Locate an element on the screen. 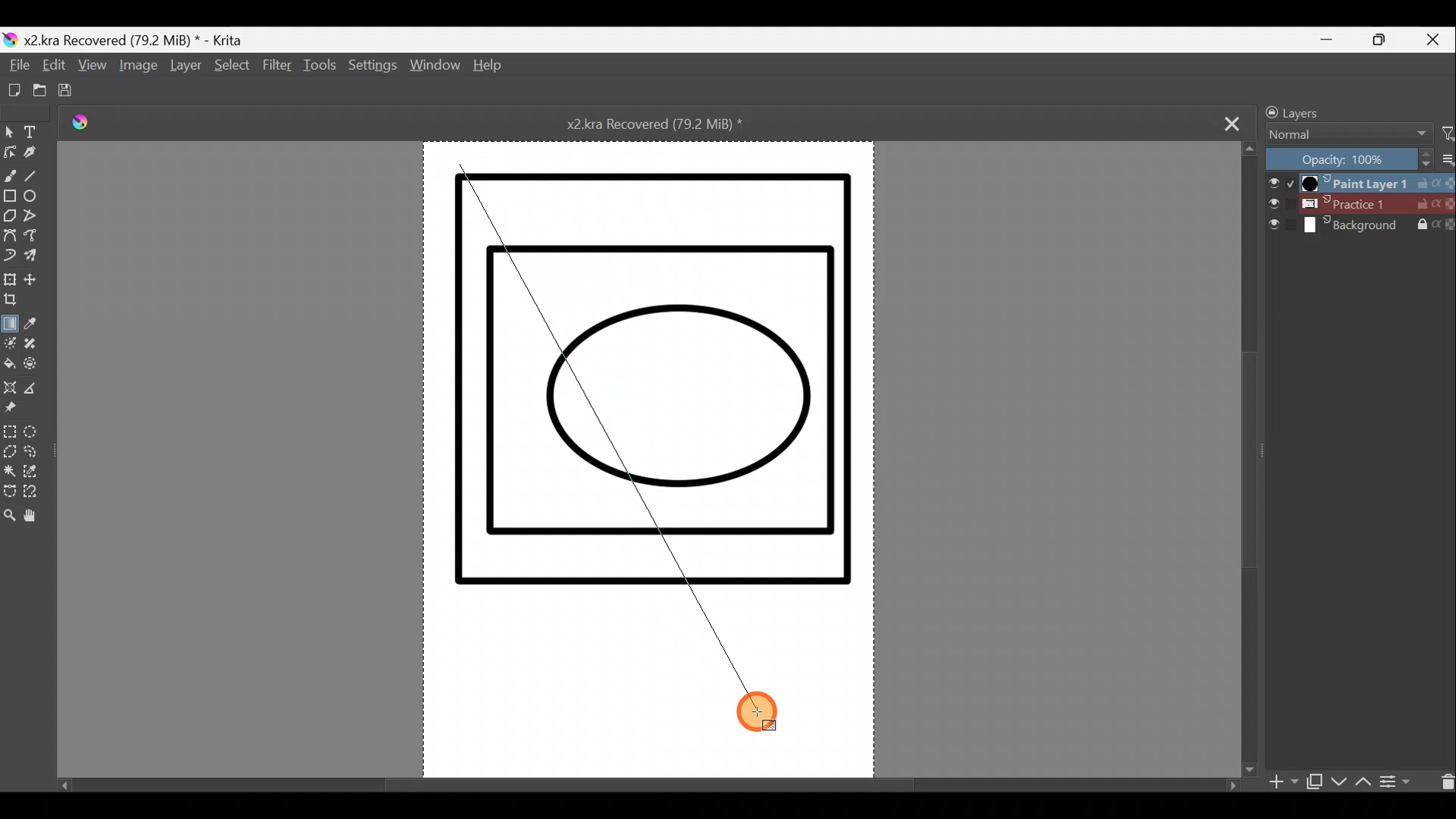 This screenshot has width=1456, height=819. Transform a layer/selection is located at coordinates (11, 281).